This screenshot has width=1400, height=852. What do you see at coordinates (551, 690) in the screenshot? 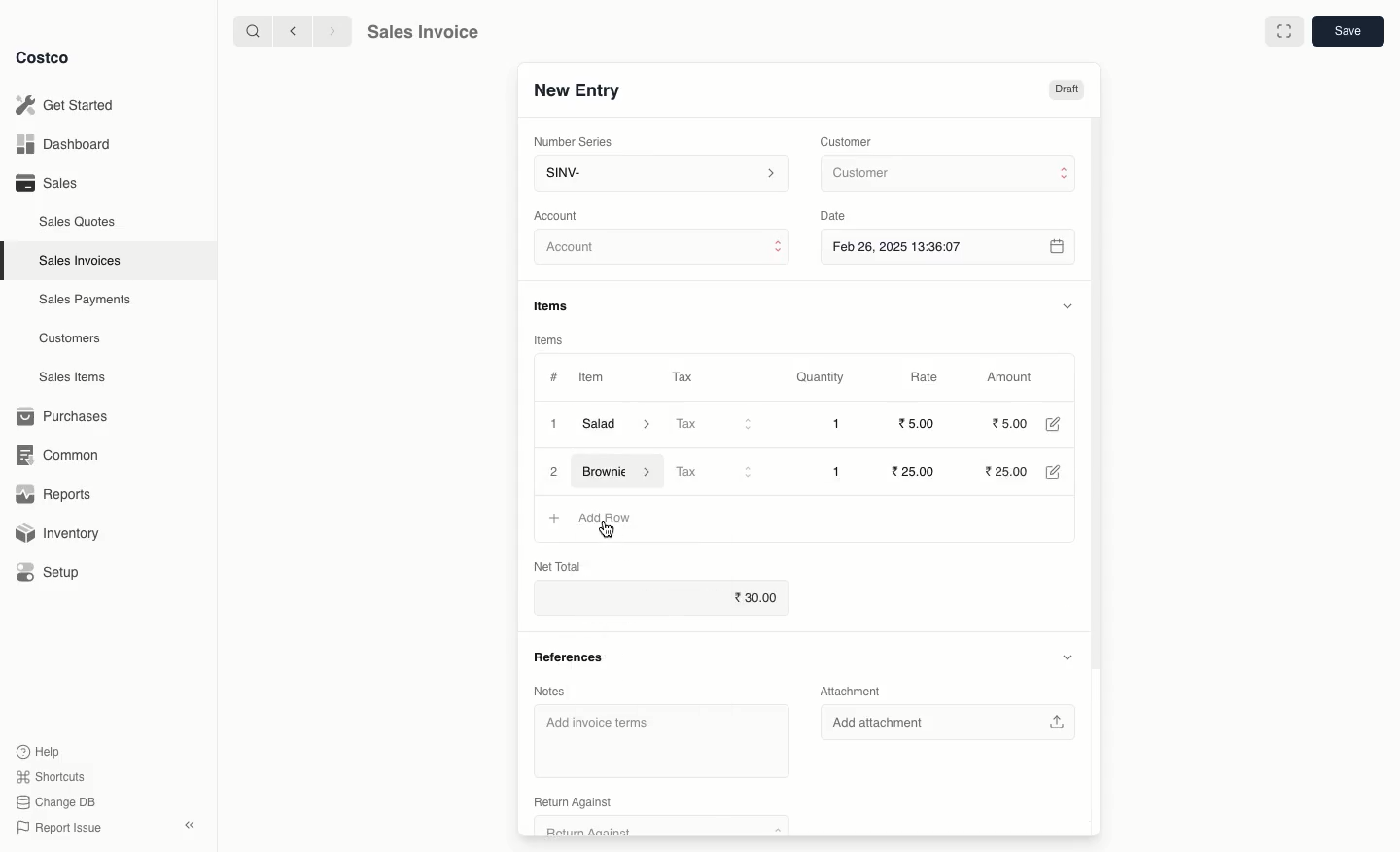
I see `Notes` at bounding box center [551, 690].